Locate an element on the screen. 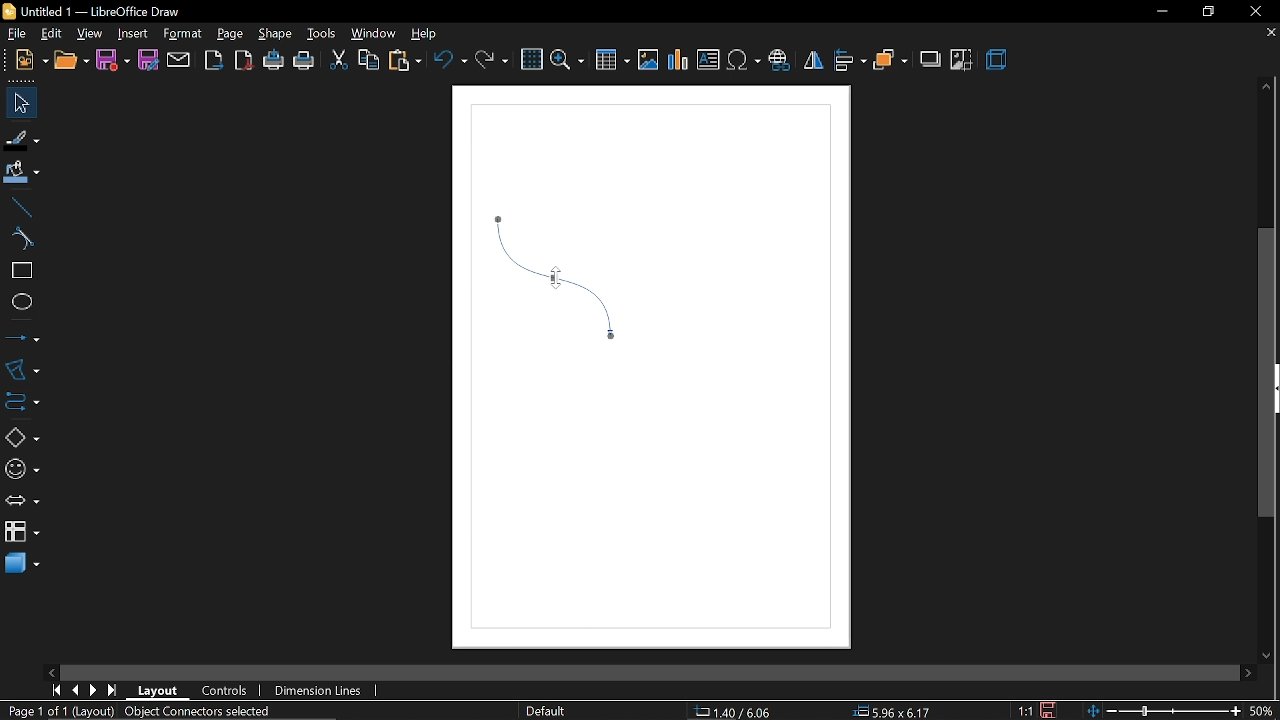 The width and height of the screenshot is (1280, 720). previous page is located at coordinates (74, 691).